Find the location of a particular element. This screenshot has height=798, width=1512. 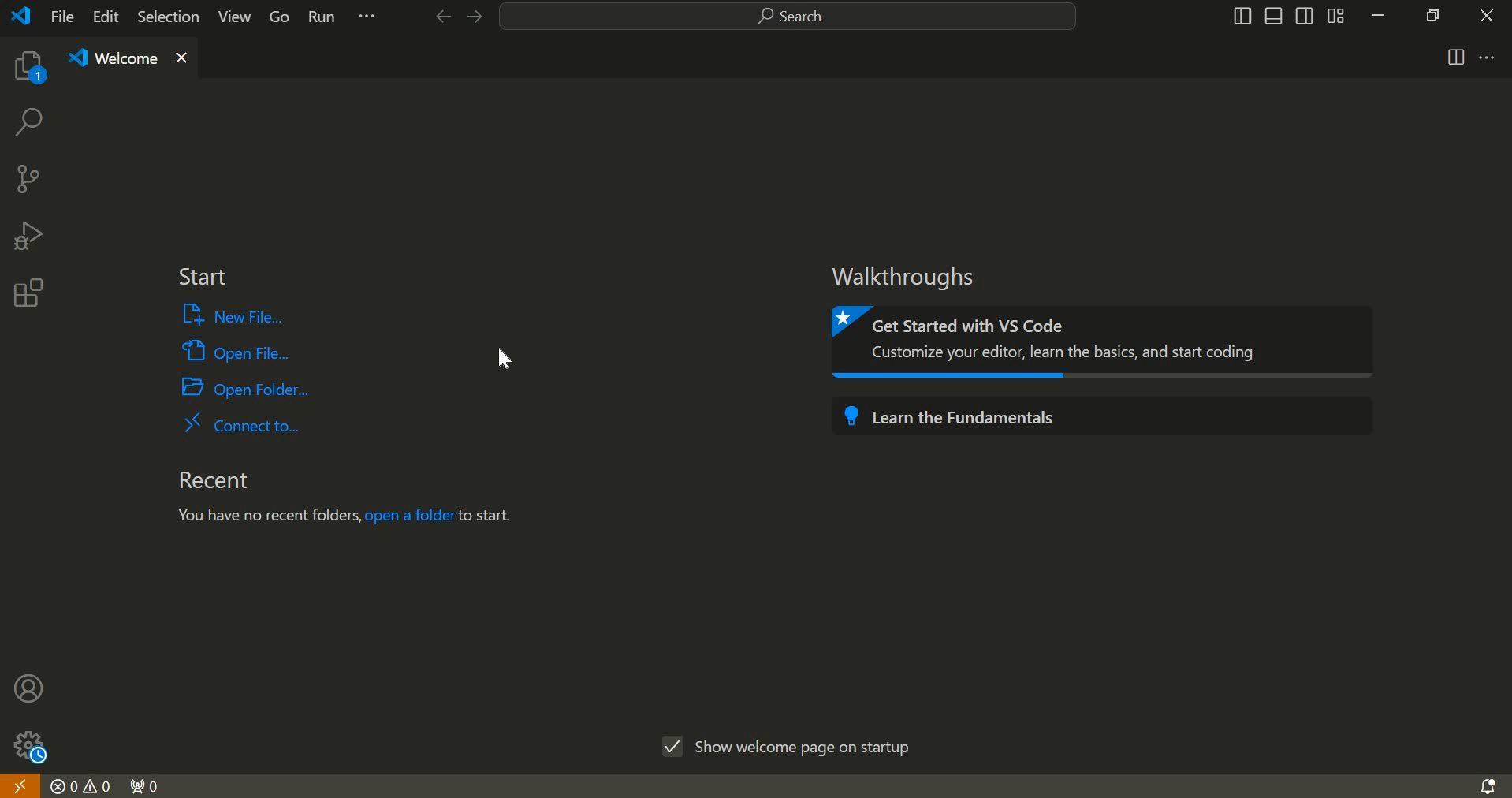

more actions is located at coordinates (1488, 56).